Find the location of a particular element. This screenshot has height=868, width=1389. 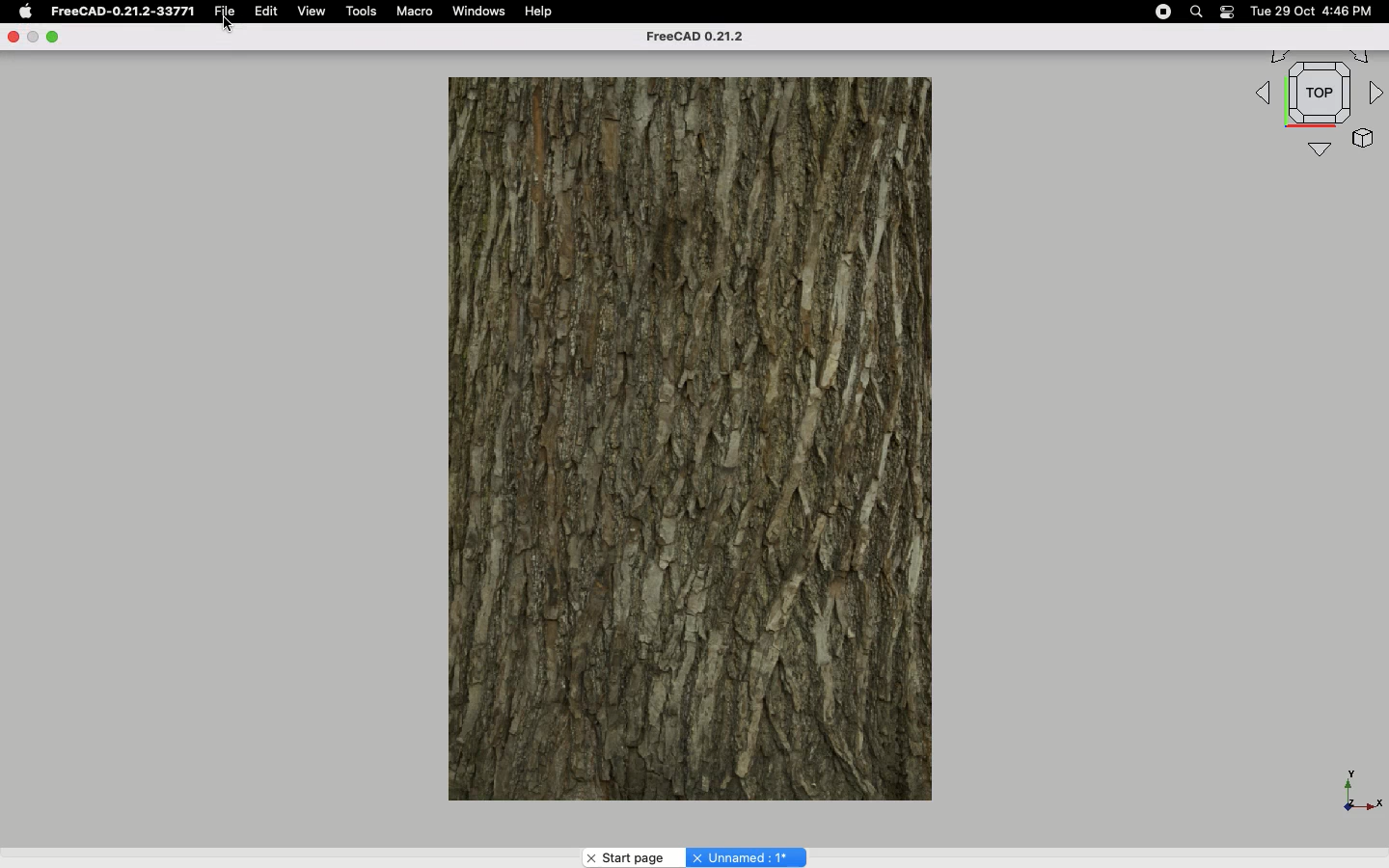

Notification is located at coordinates (1227, 12).